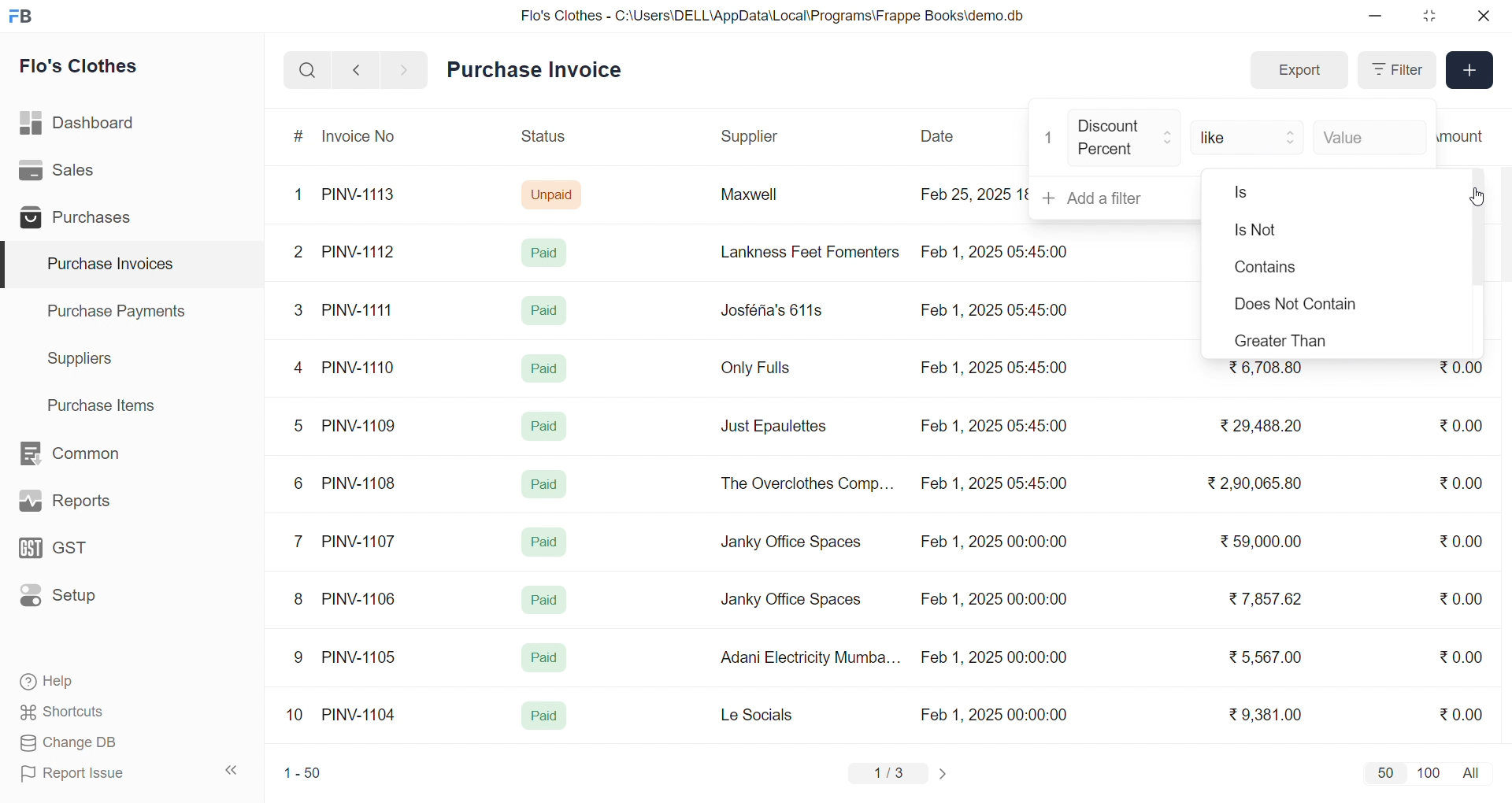 This screenshot has width=1512, height=803. What do you see at coordinates (1384, 772) in the screenshot?
I see `50` at bounding box center [1384, 772].